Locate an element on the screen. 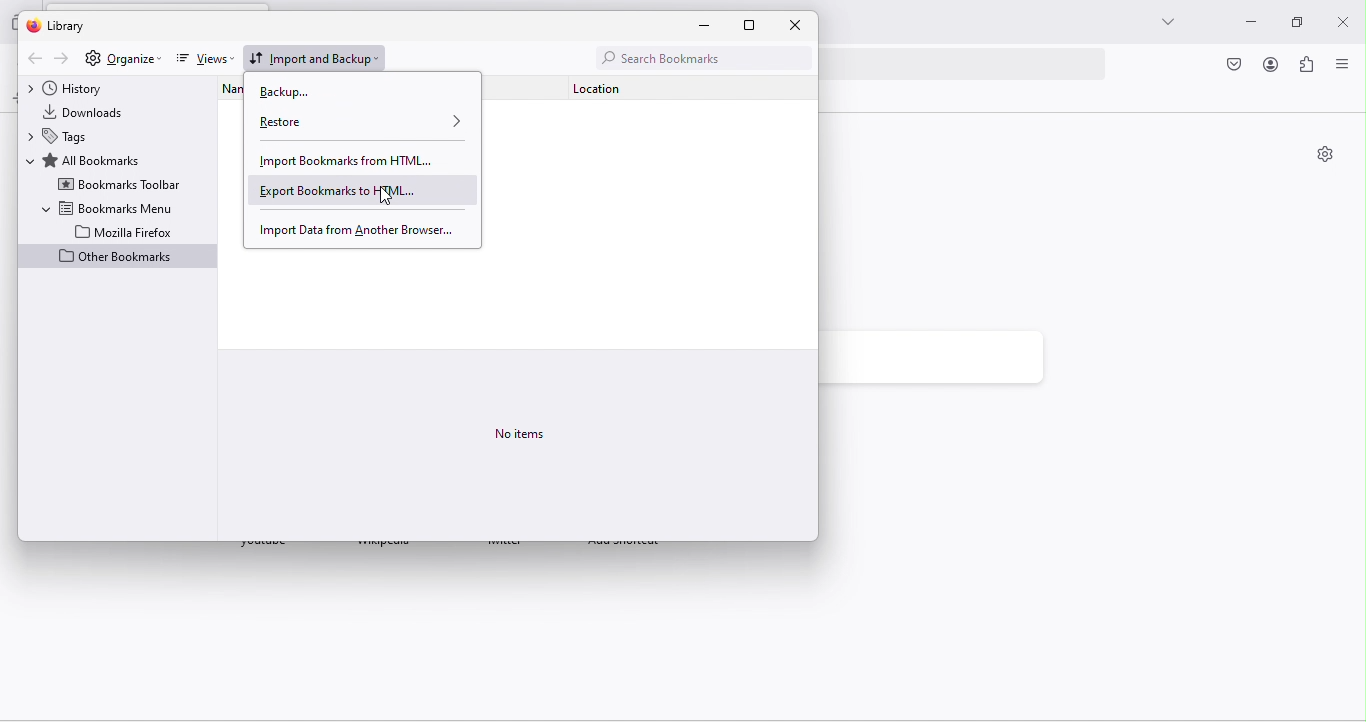  import and backup is located at coordinates (318, 56).